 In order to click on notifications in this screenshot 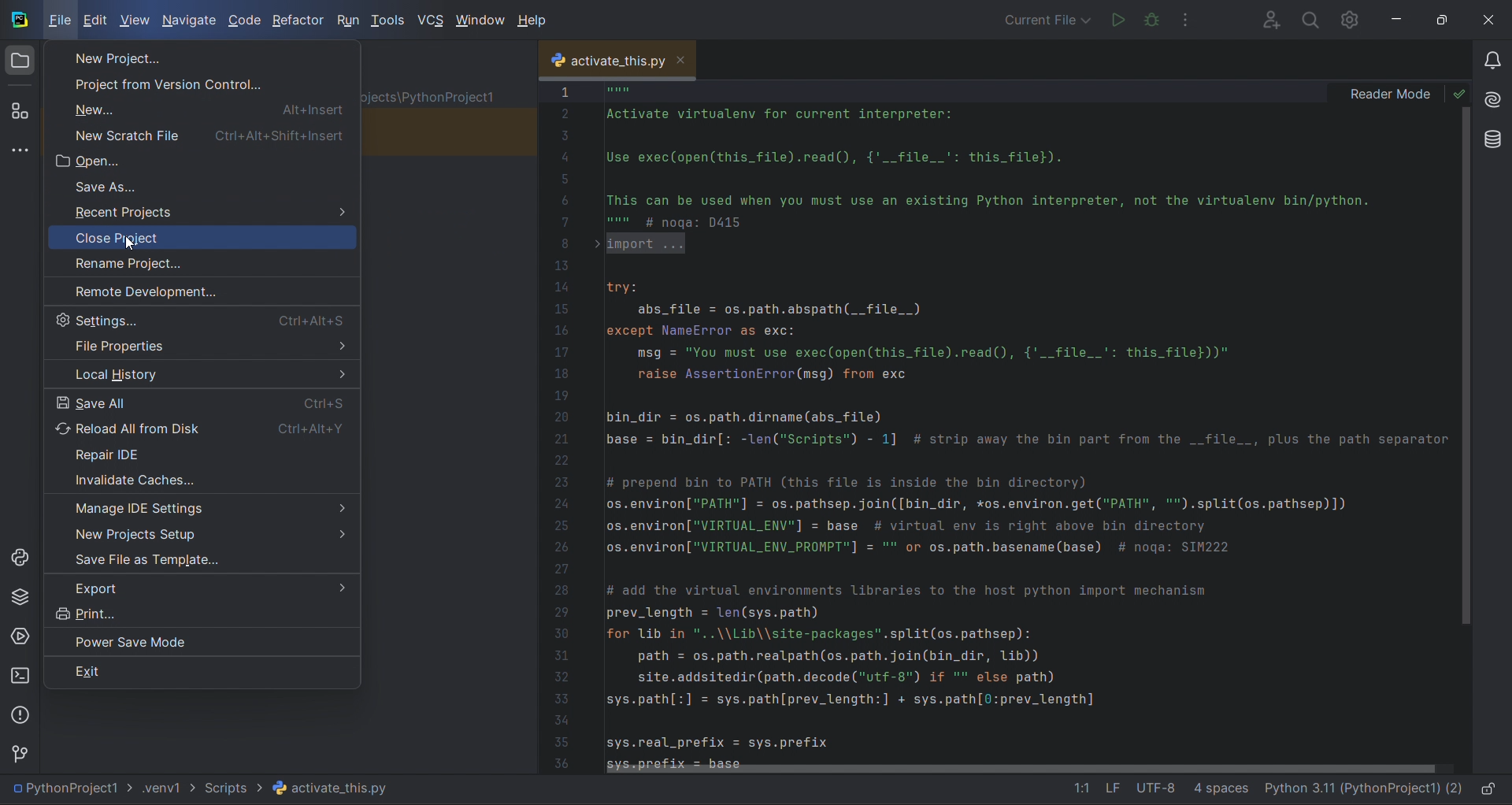, I will do `click(1495, 56)`.